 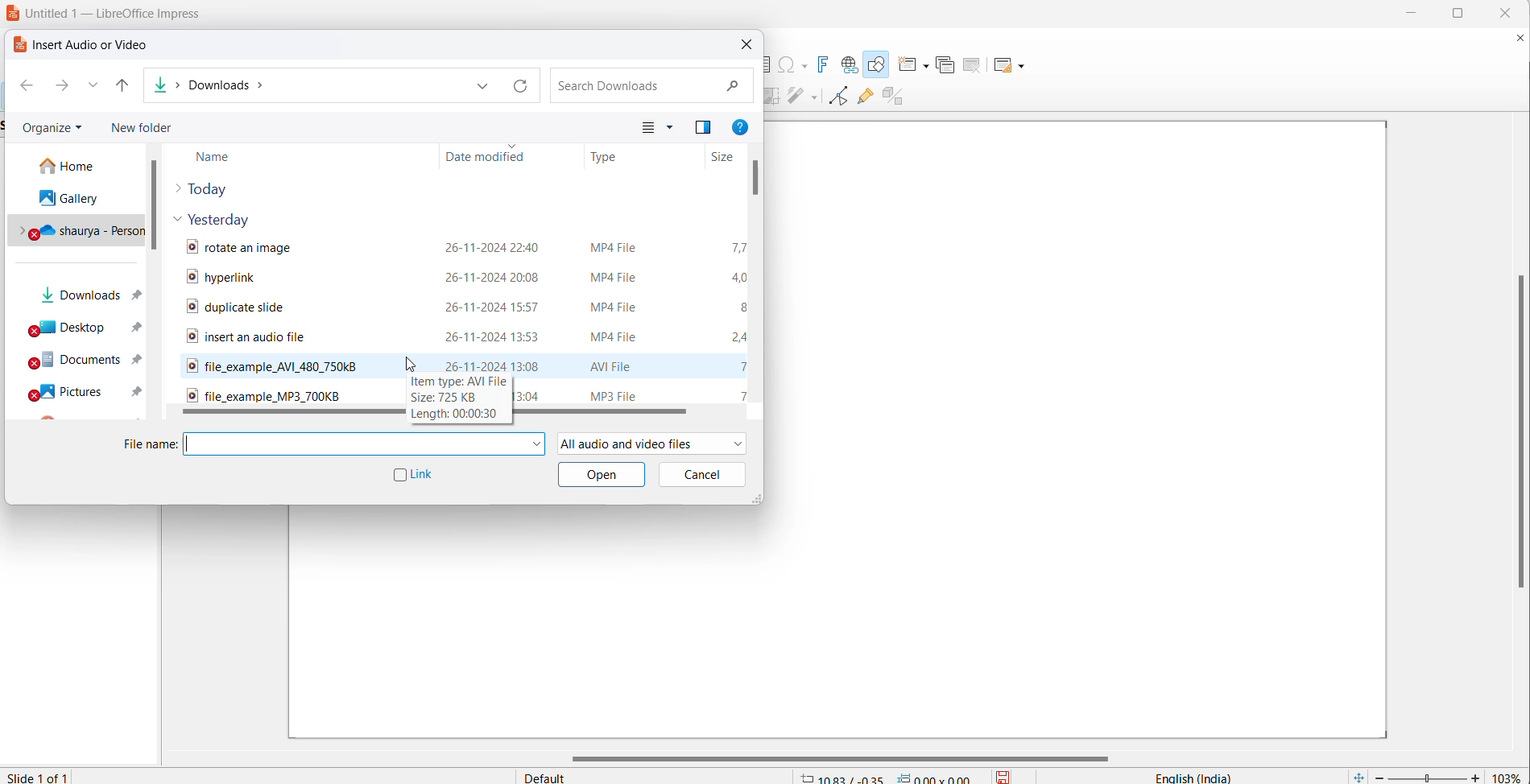 I want to click on toggle extrusion, so click(x=895, y=99).